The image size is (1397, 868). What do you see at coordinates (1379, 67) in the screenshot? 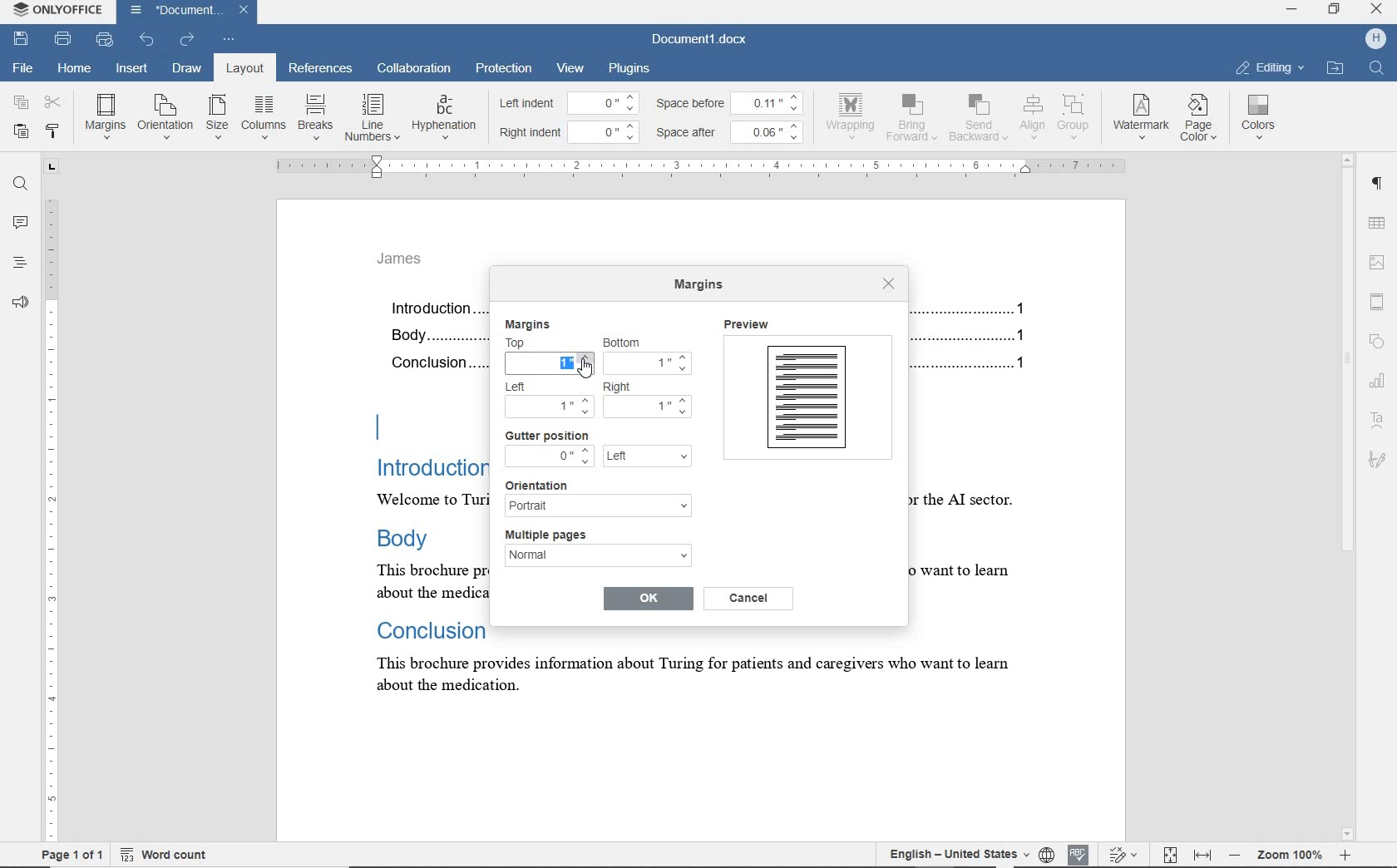
I see `FIND` at bounding box center [1379, 67].